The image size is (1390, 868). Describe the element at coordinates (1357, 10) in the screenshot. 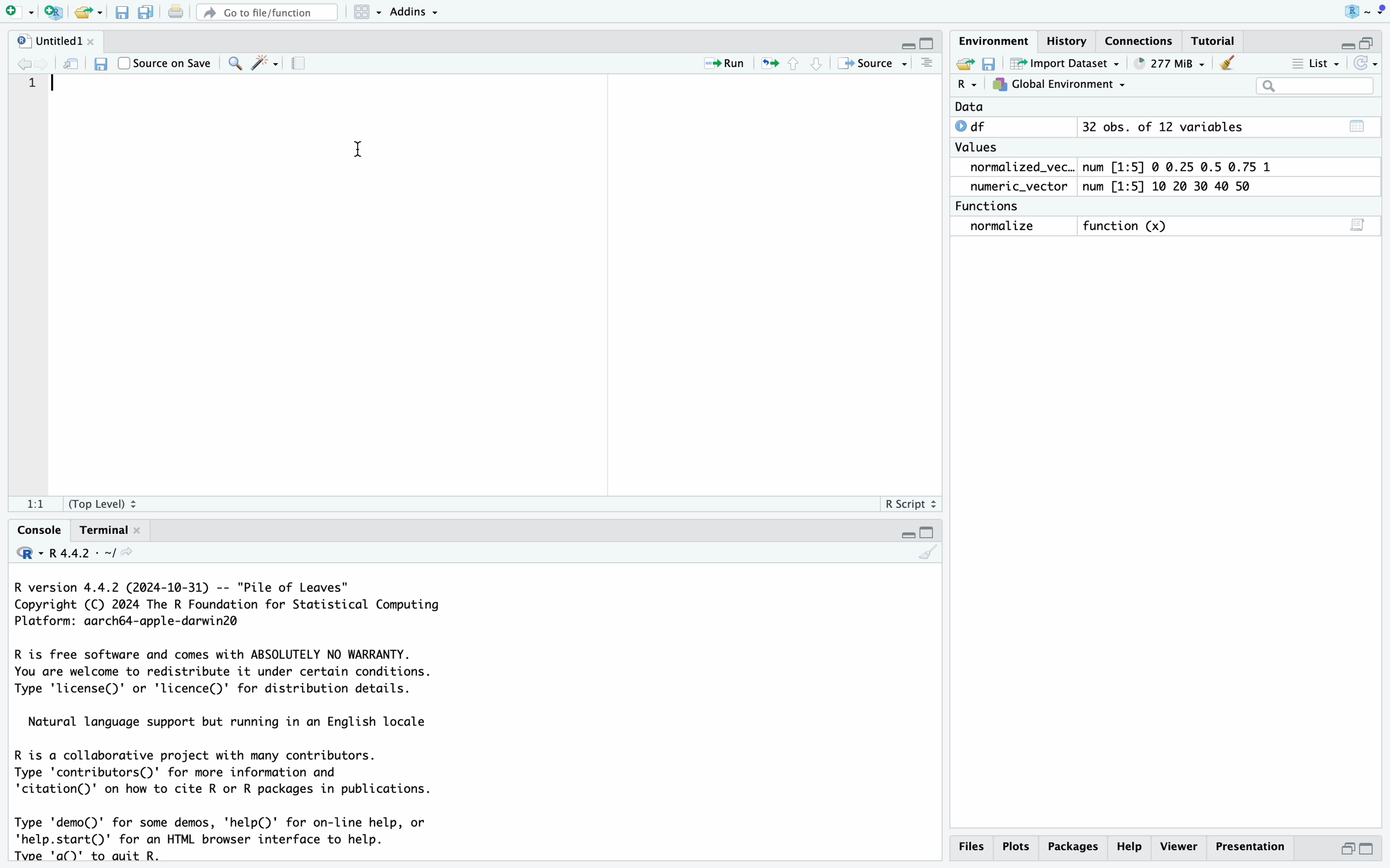

I see `R` at that location.